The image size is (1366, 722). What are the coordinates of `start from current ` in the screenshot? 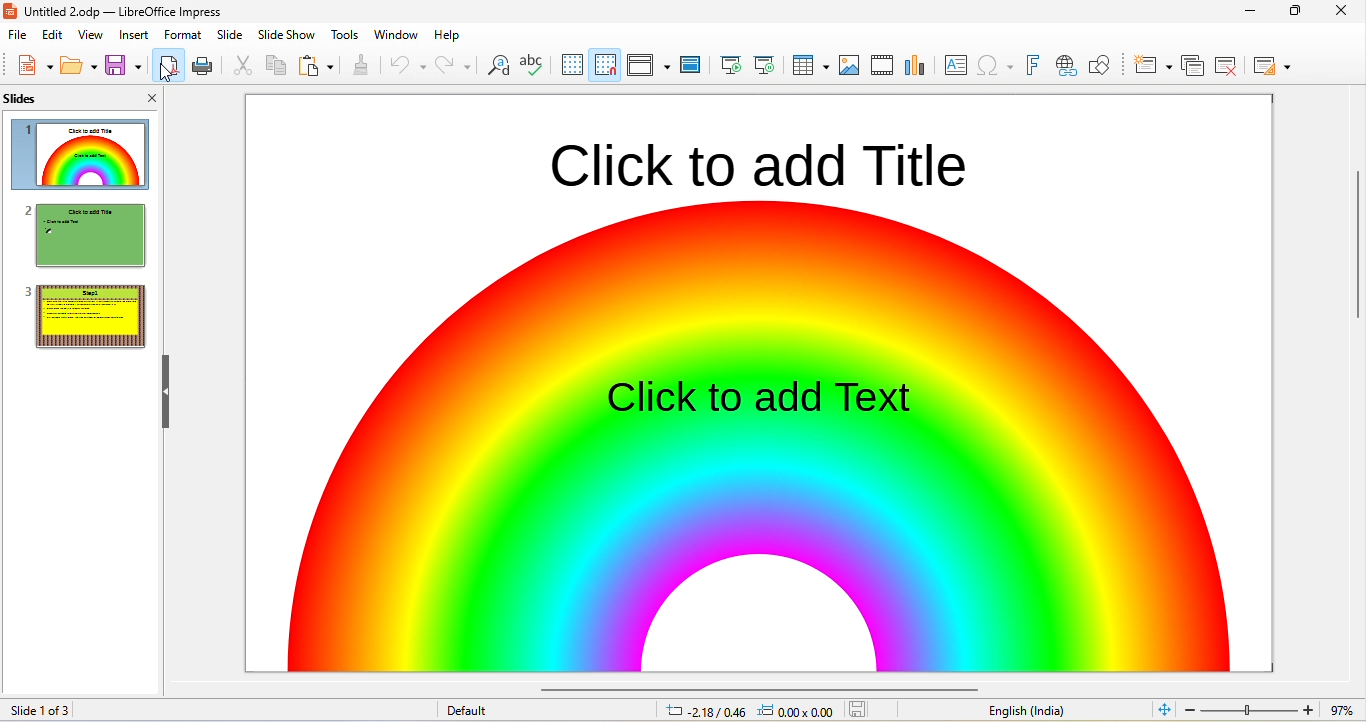 It's located at (763, 65).